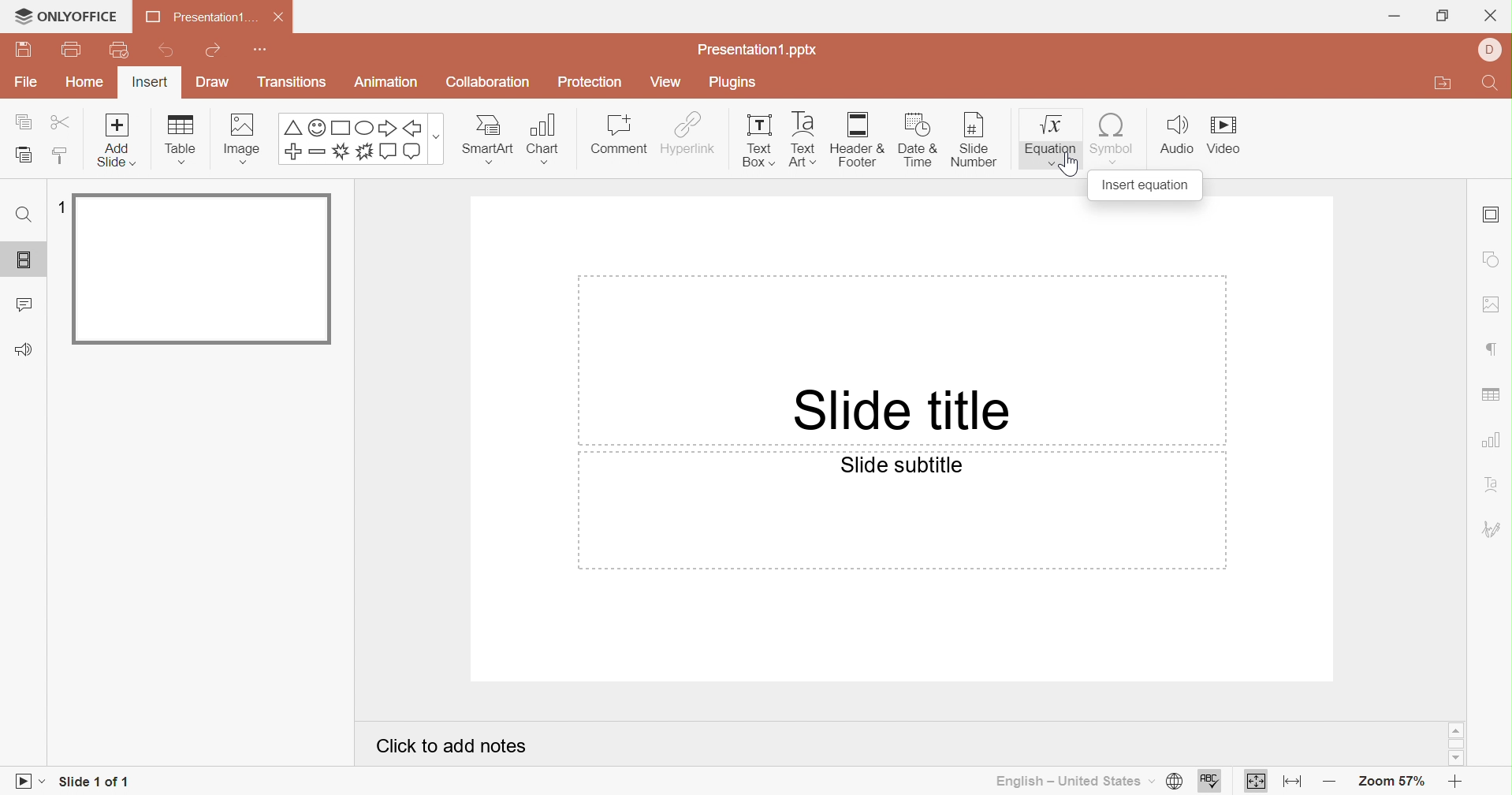 This screenshot has height=795, width=1512. What do you see at coordinates (96, 782) in the screenshot?
I see `Slide 1 of 1` at bounding box center [96, 782].